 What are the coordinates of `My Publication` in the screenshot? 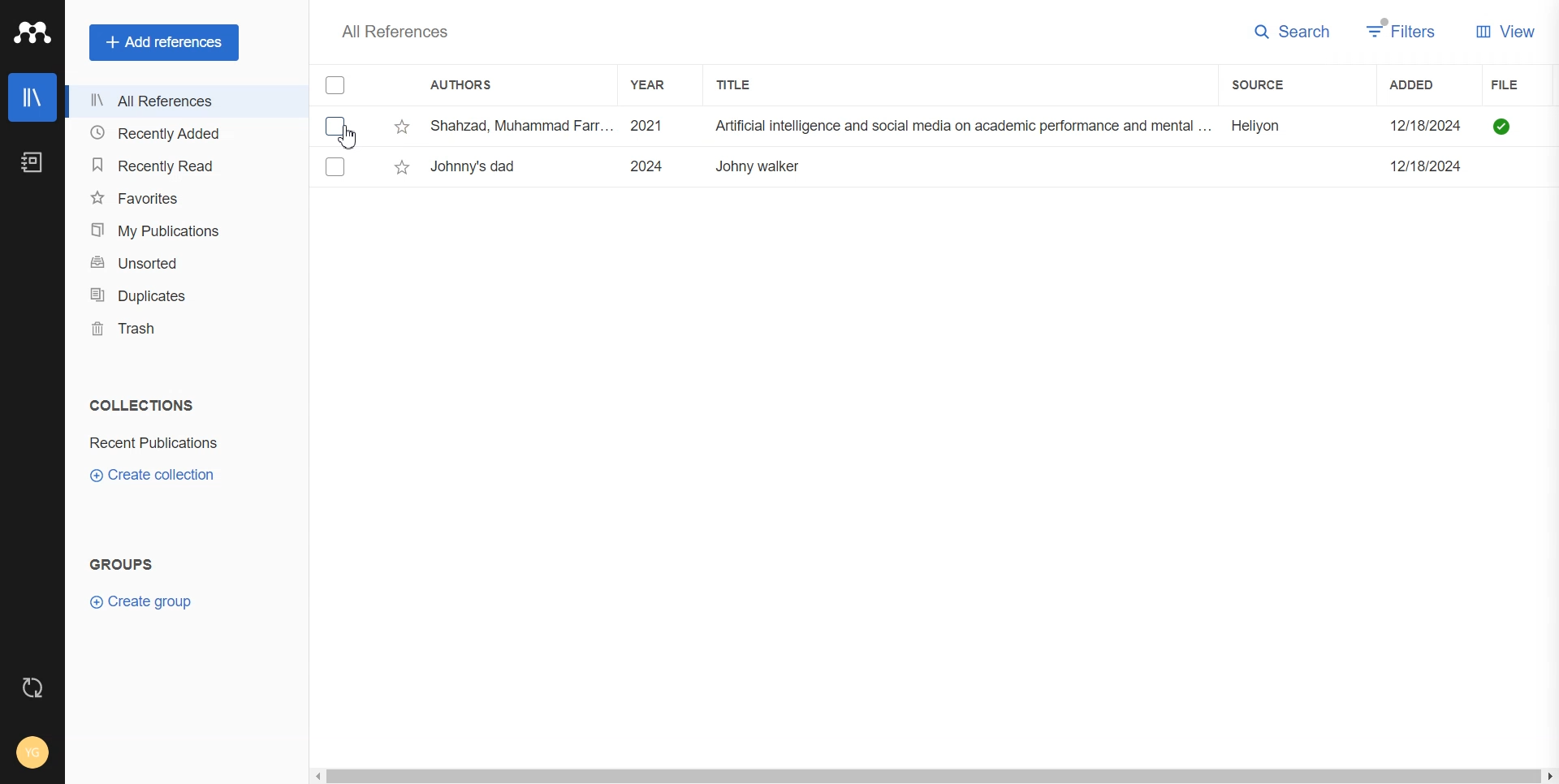 It's located at (182, 230).